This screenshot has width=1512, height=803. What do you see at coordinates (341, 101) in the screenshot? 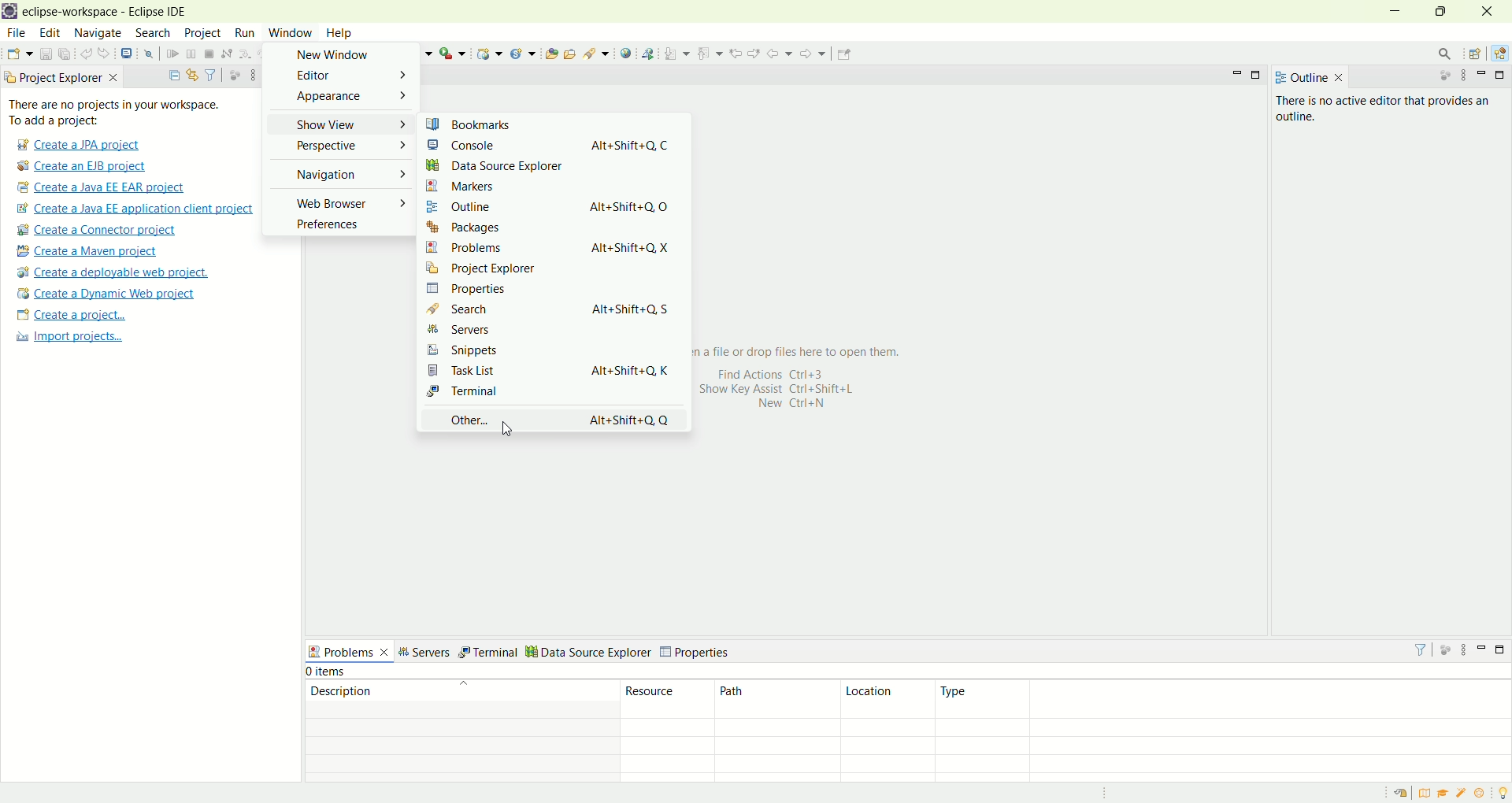
I see `appearance` at bounding box center [341, 101].